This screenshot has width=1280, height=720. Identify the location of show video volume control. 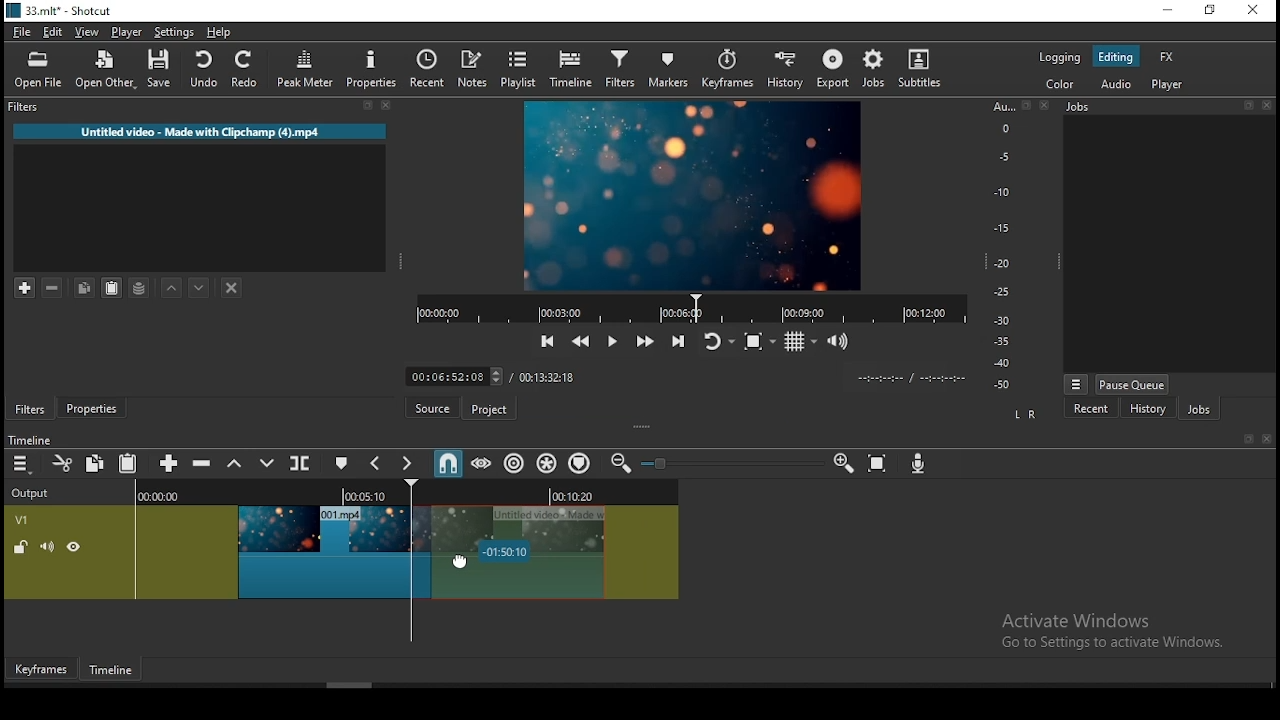
(837, 337).